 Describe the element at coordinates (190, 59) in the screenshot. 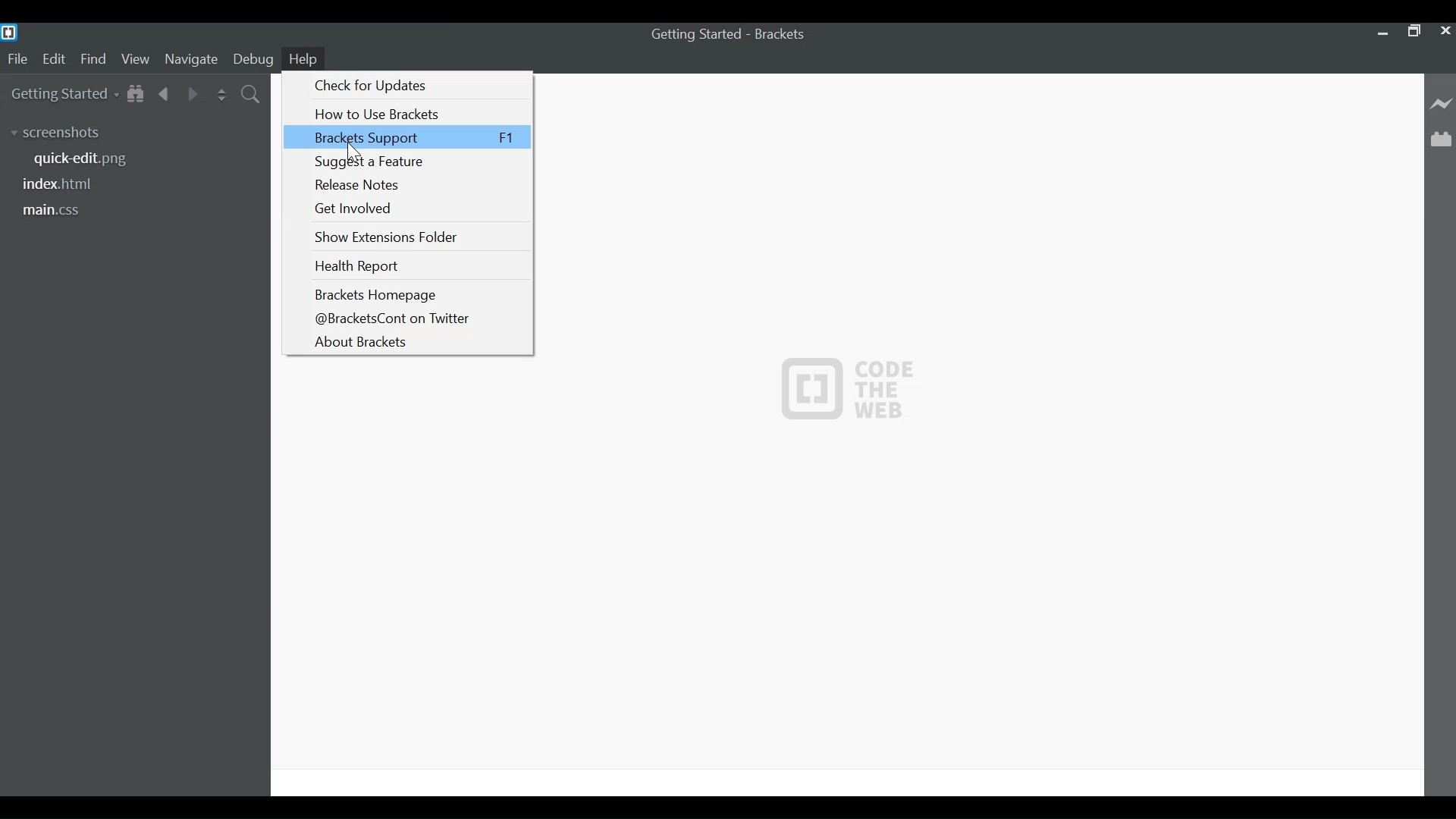

I see `Navigate` at that location.